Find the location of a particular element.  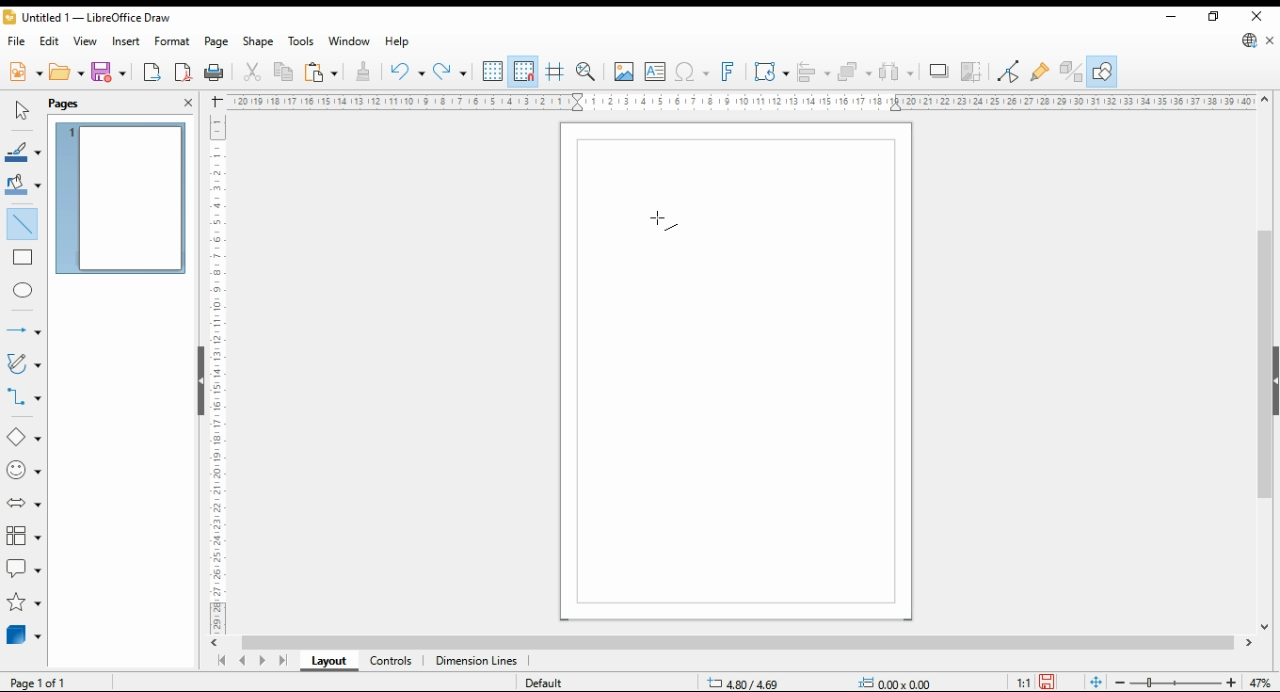

window is located at coordinates (350, 43).